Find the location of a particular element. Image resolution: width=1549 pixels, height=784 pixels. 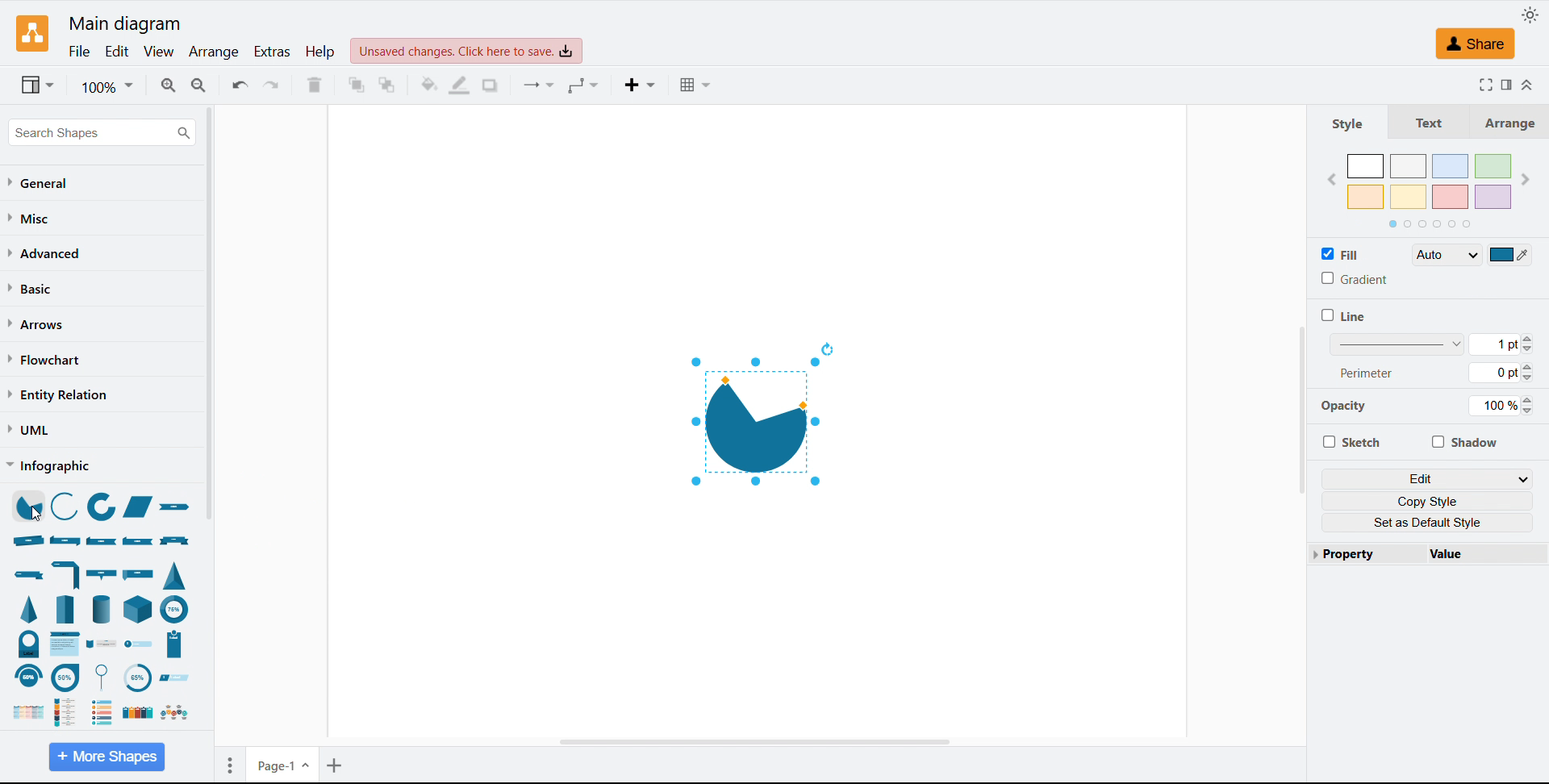

Miscellaneous  is located at coordinates (33, 218).